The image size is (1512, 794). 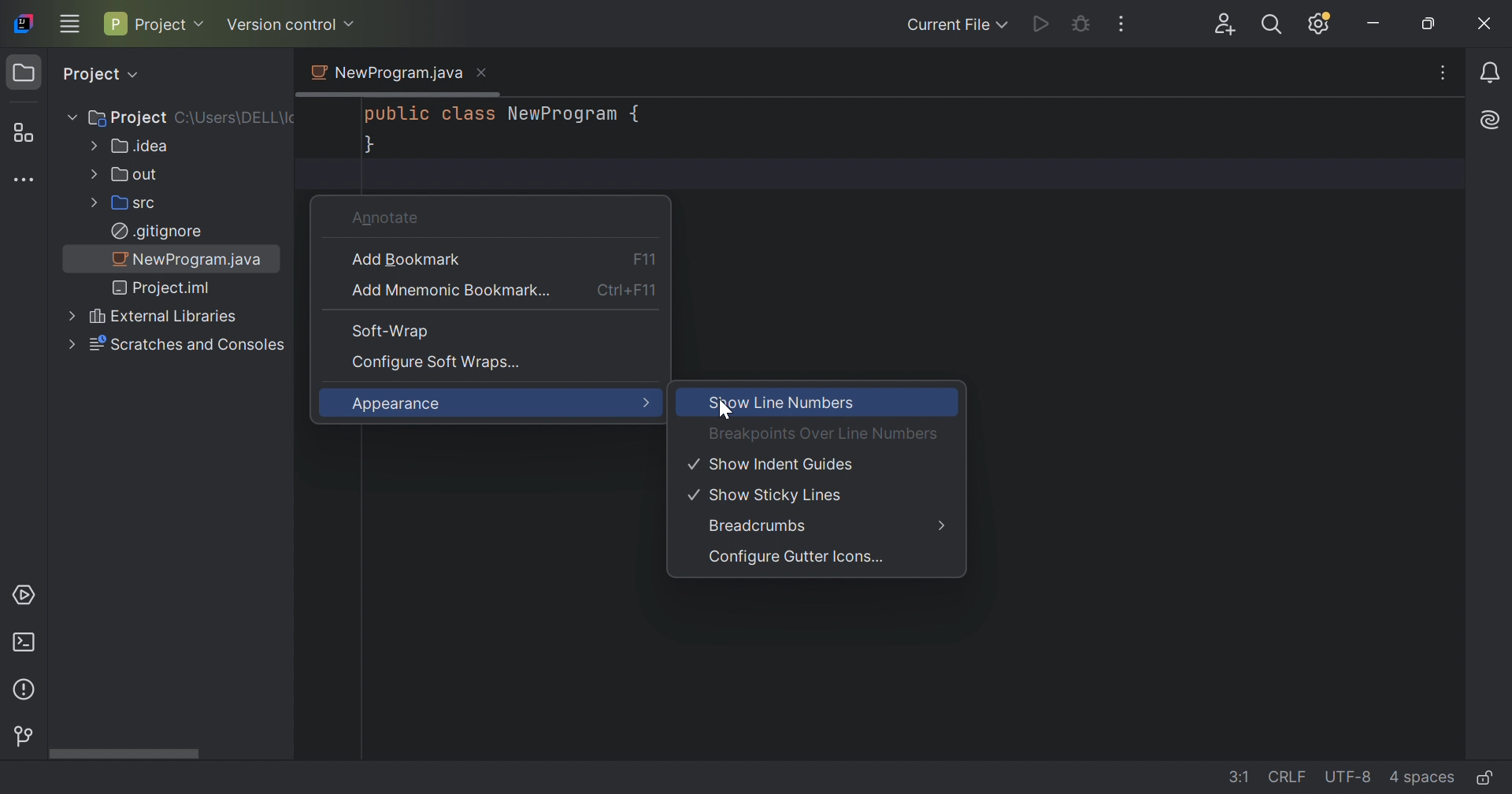 What do you see at coordinates (157, 231) in the screenshot?
I see `.gitignore` at bounding box center [157, 231].